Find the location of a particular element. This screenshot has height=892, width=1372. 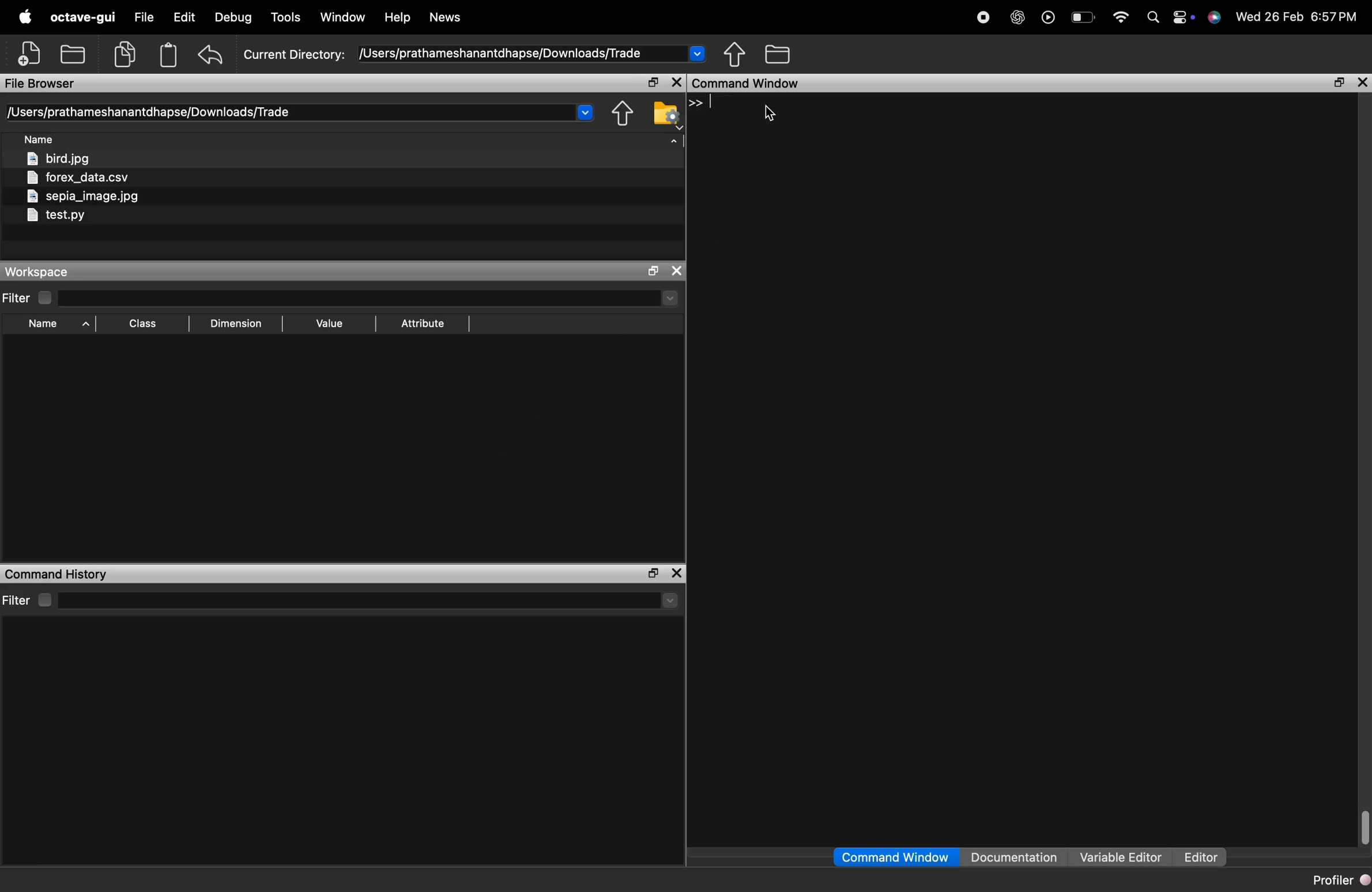

octave-gui is located at coordinates (83, 17).